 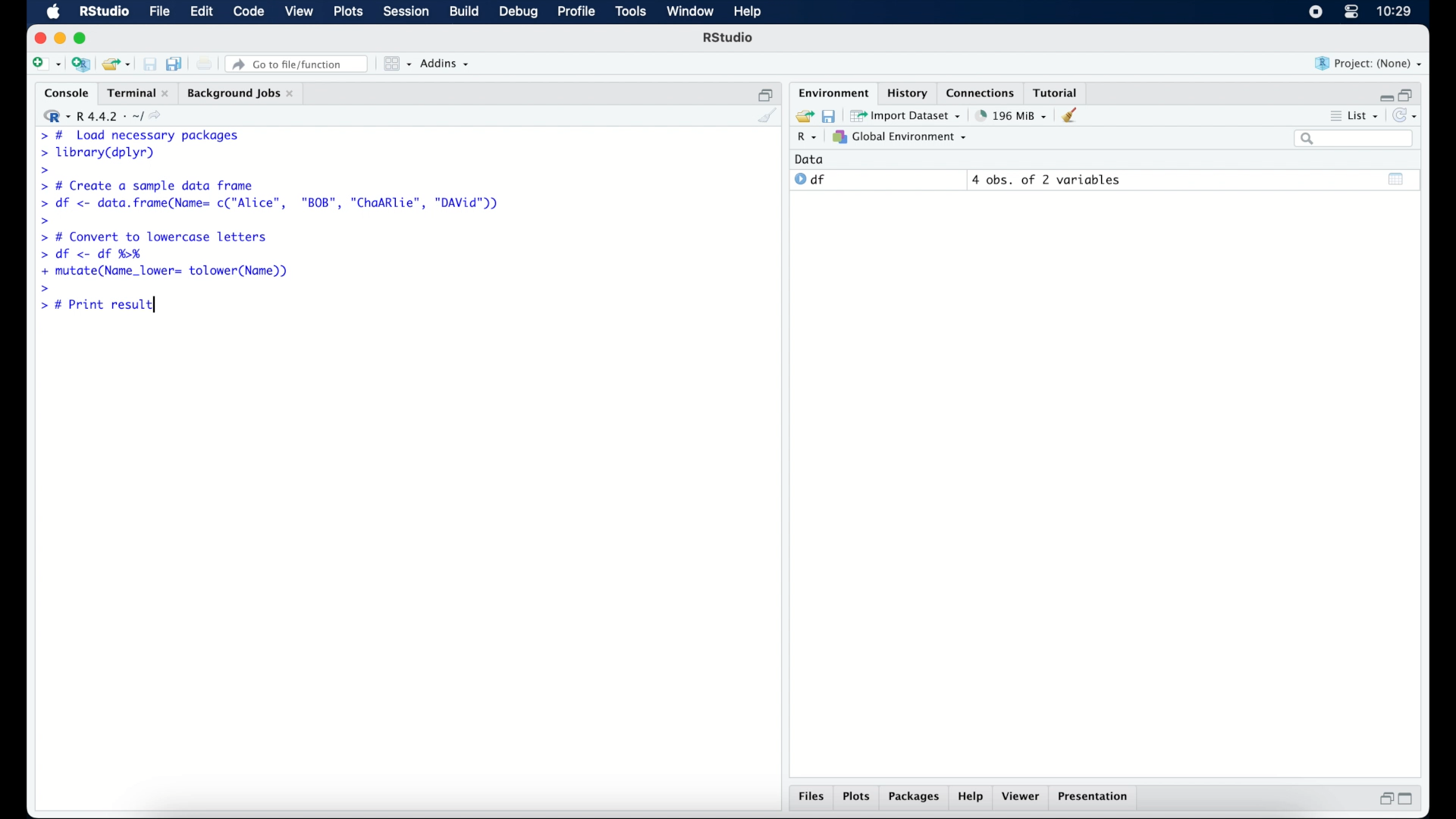 What do you see at coordinates (240, 93) in the screenshot?
I see `background jobs` at bounding box center [240, 93].